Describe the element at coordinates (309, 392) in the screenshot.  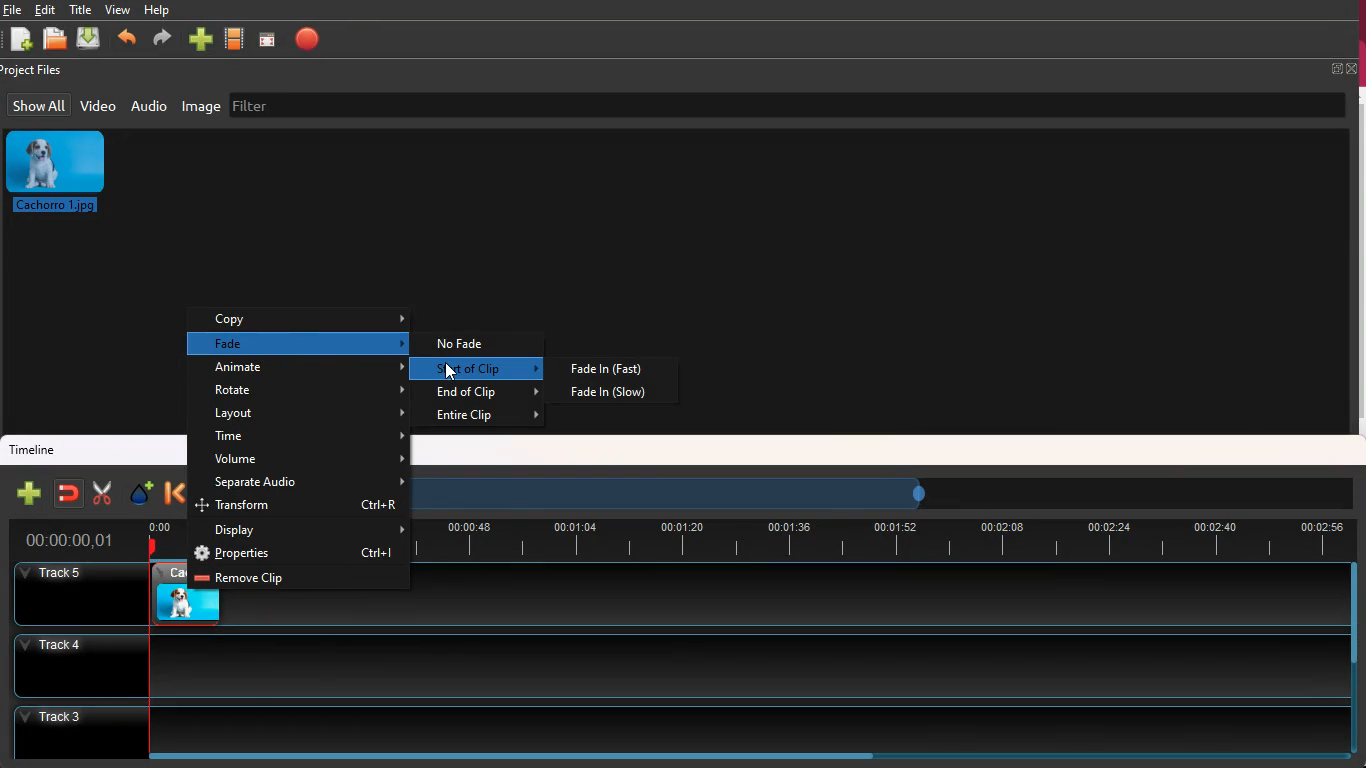
I see `rotate` at that location.